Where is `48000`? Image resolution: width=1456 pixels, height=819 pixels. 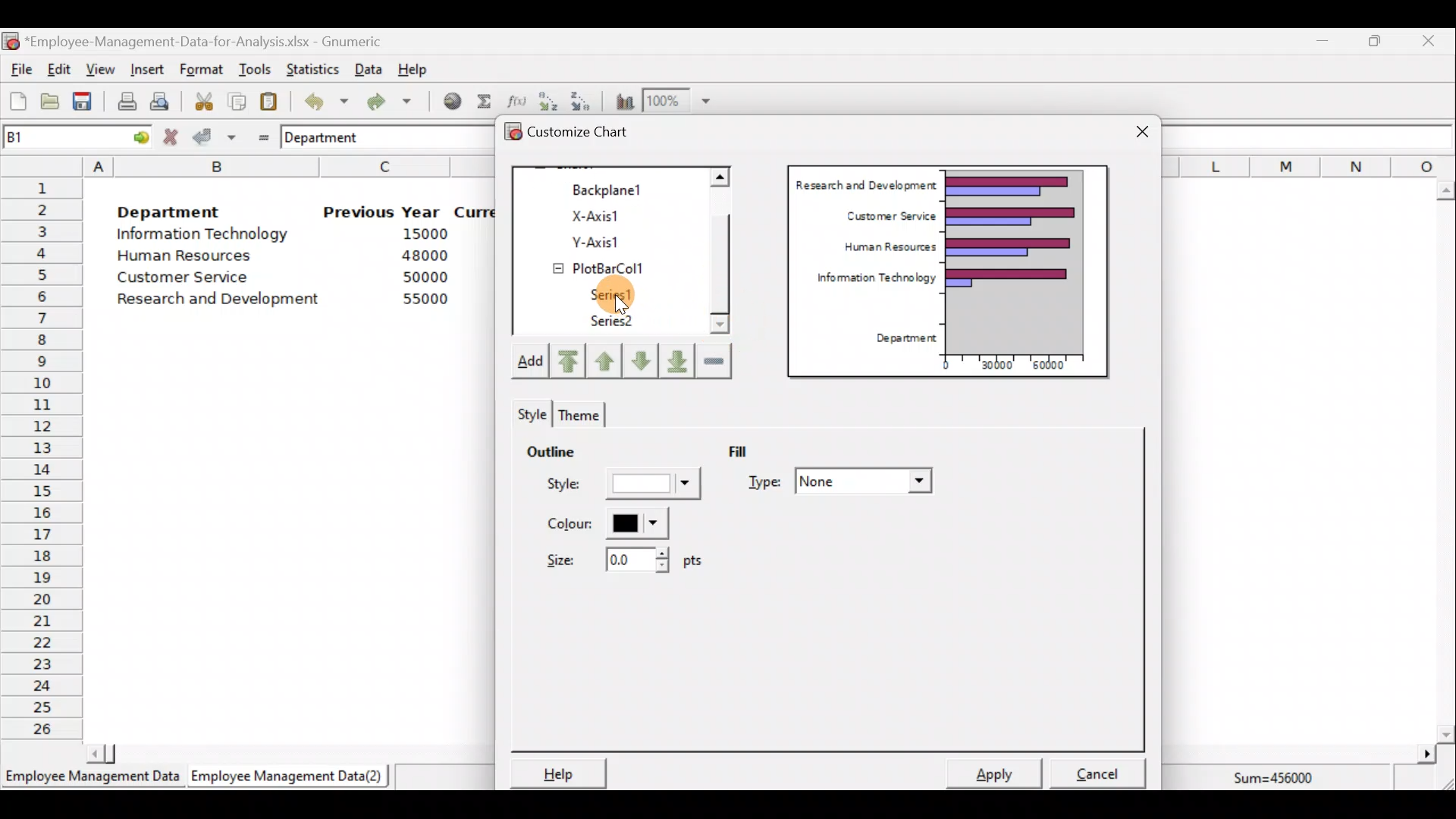 48000 is located at coordinates (424, 256).